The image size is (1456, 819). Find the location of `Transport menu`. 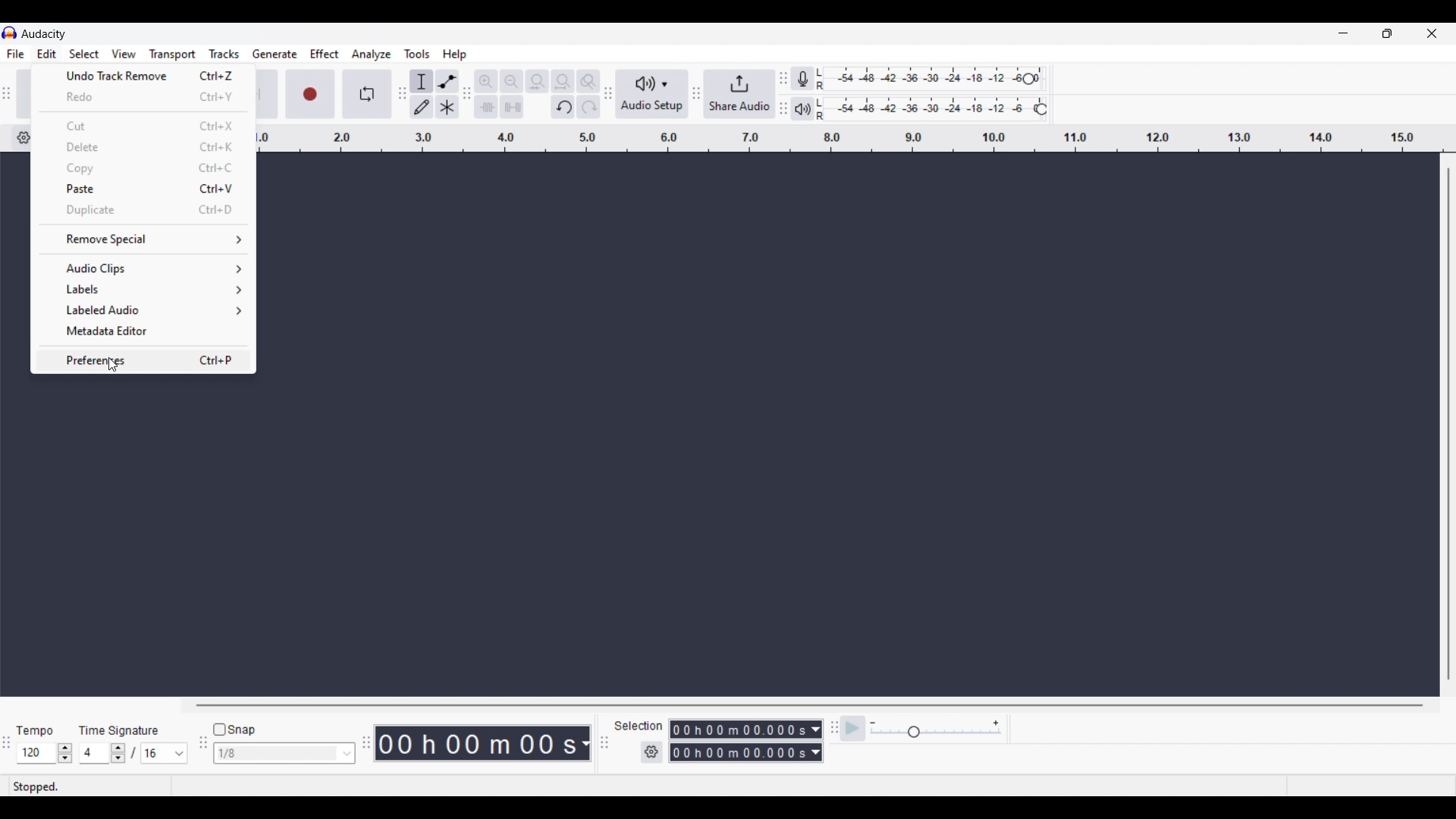

Transport menu is located at coordinates (173, 54).